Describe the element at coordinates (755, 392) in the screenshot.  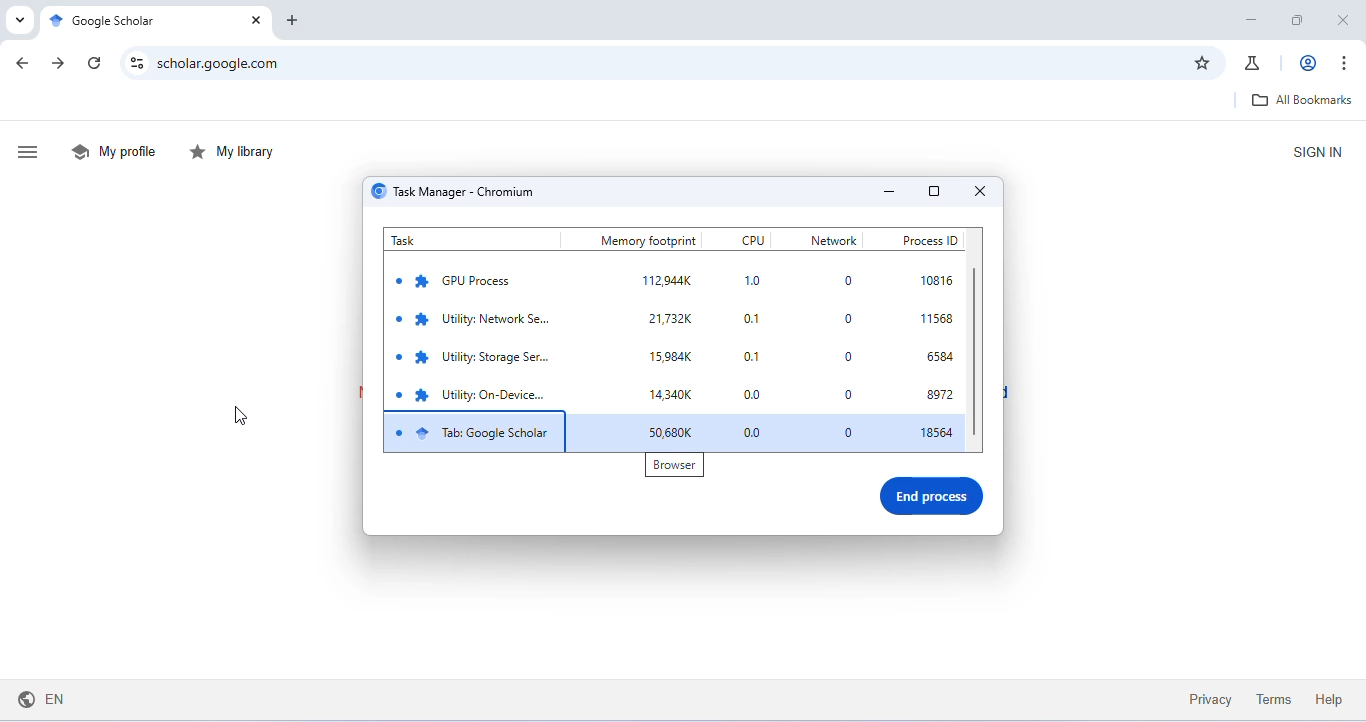
I see `0.0` at that location.